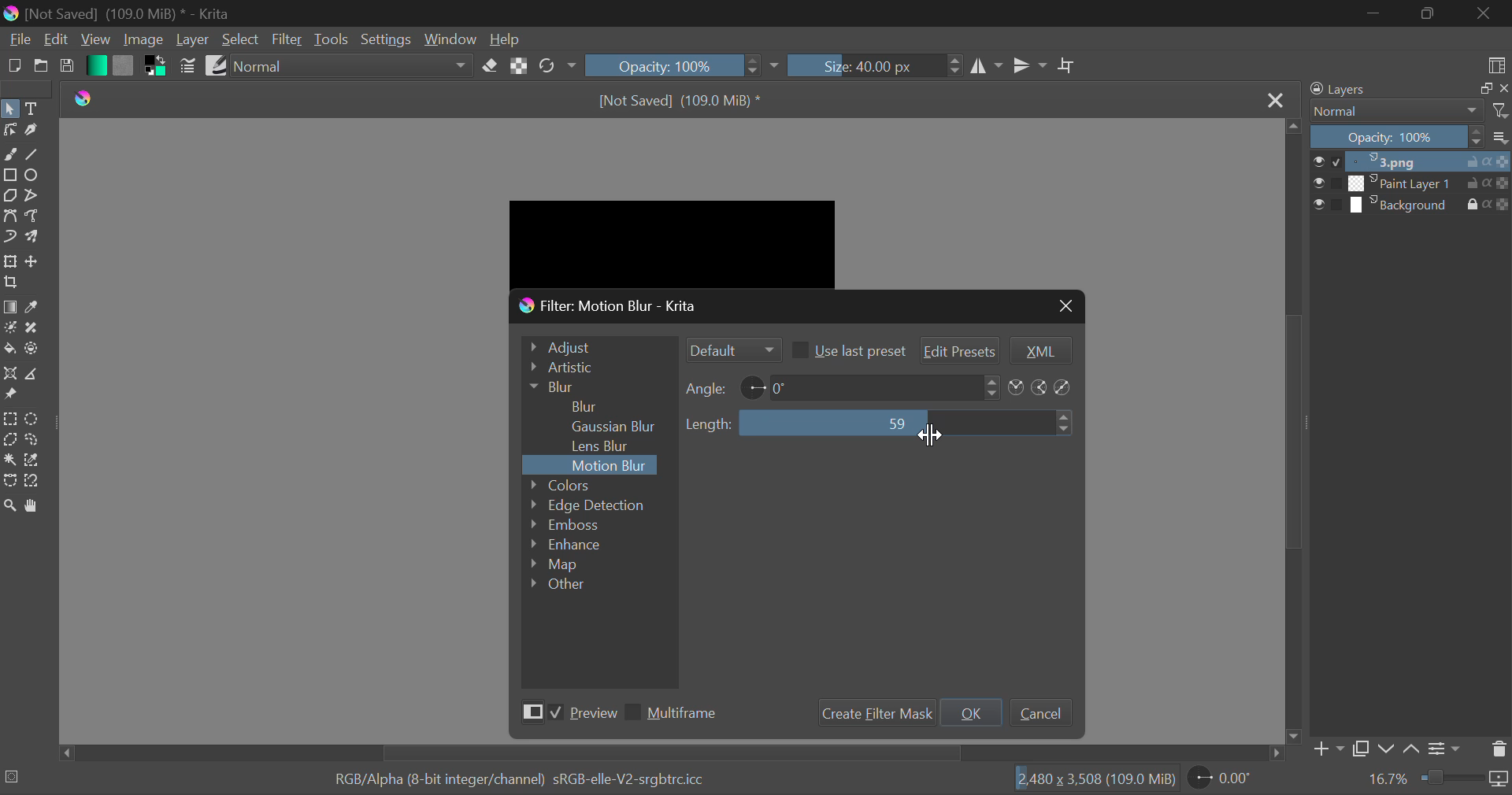 This screenshot has height=795, width=1512. What do you see at coordinates (34, 176) in the screenshot?
I see `Ellipses` at bounding box center [34, 176].